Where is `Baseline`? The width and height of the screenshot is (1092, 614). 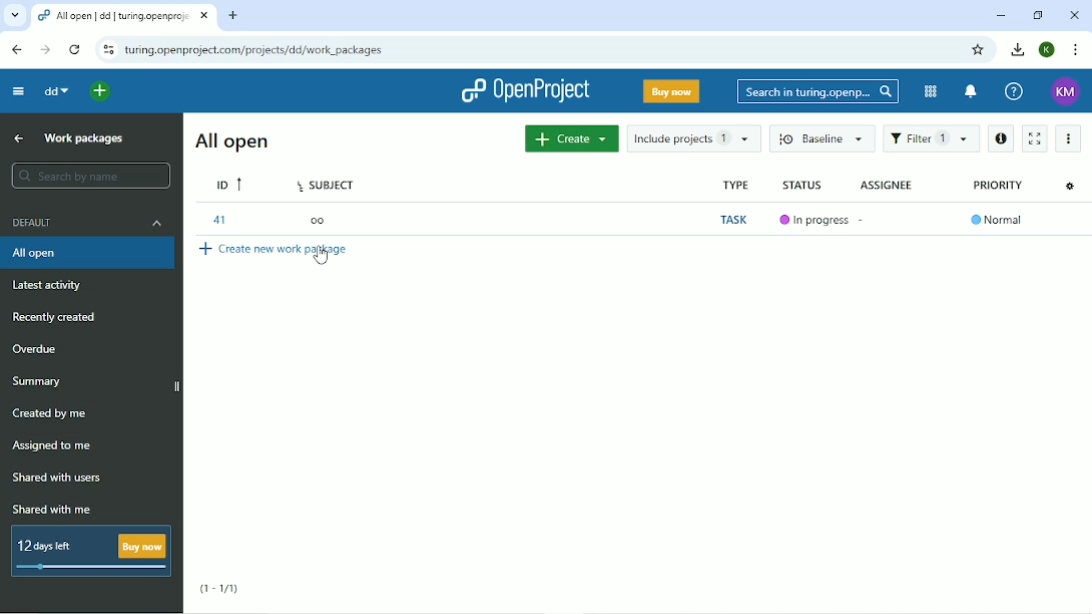 Baseline is located at coordinates (823, 139).